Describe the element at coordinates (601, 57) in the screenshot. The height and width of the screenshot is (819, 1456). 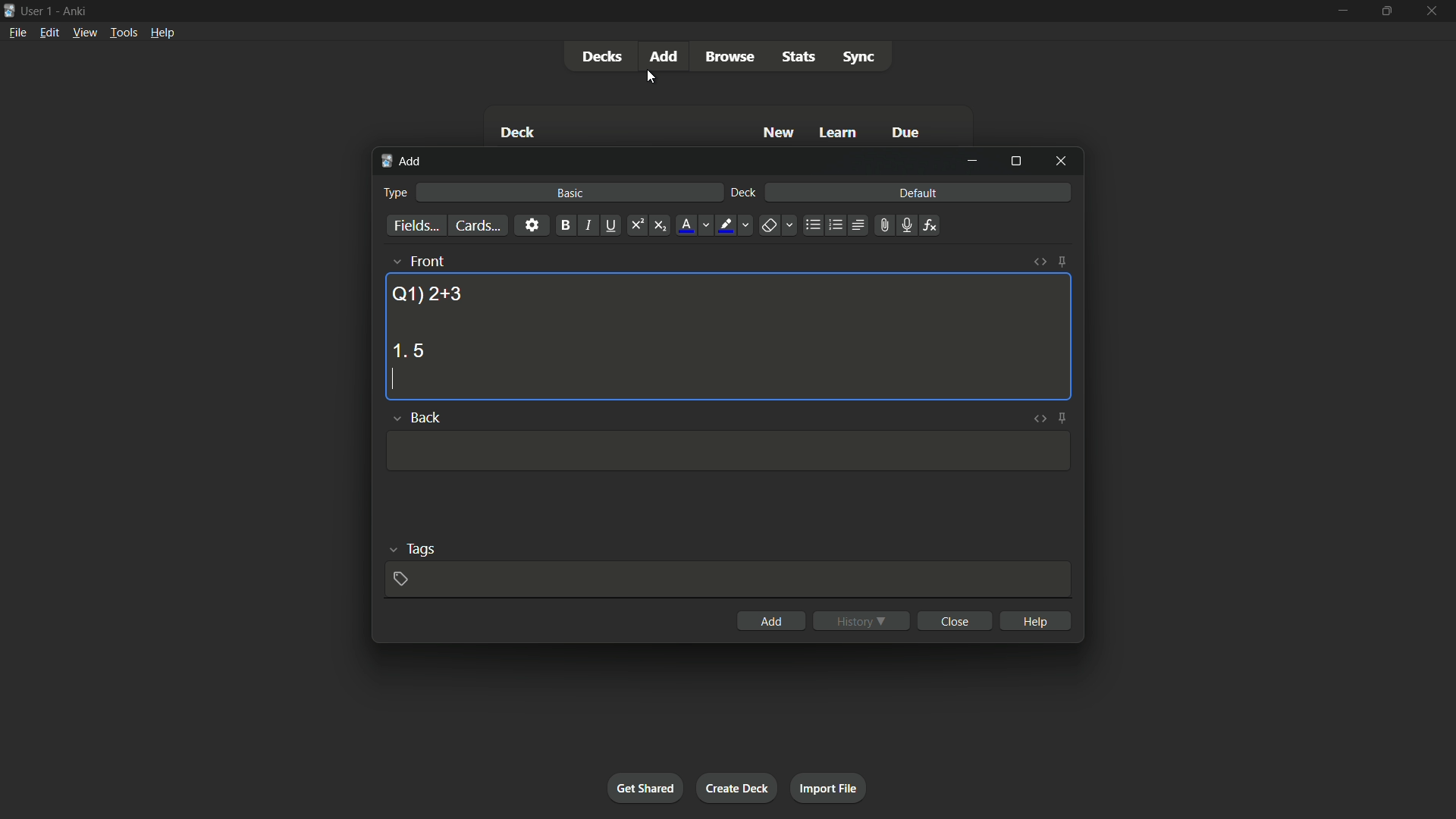
I see `decks` at that location.